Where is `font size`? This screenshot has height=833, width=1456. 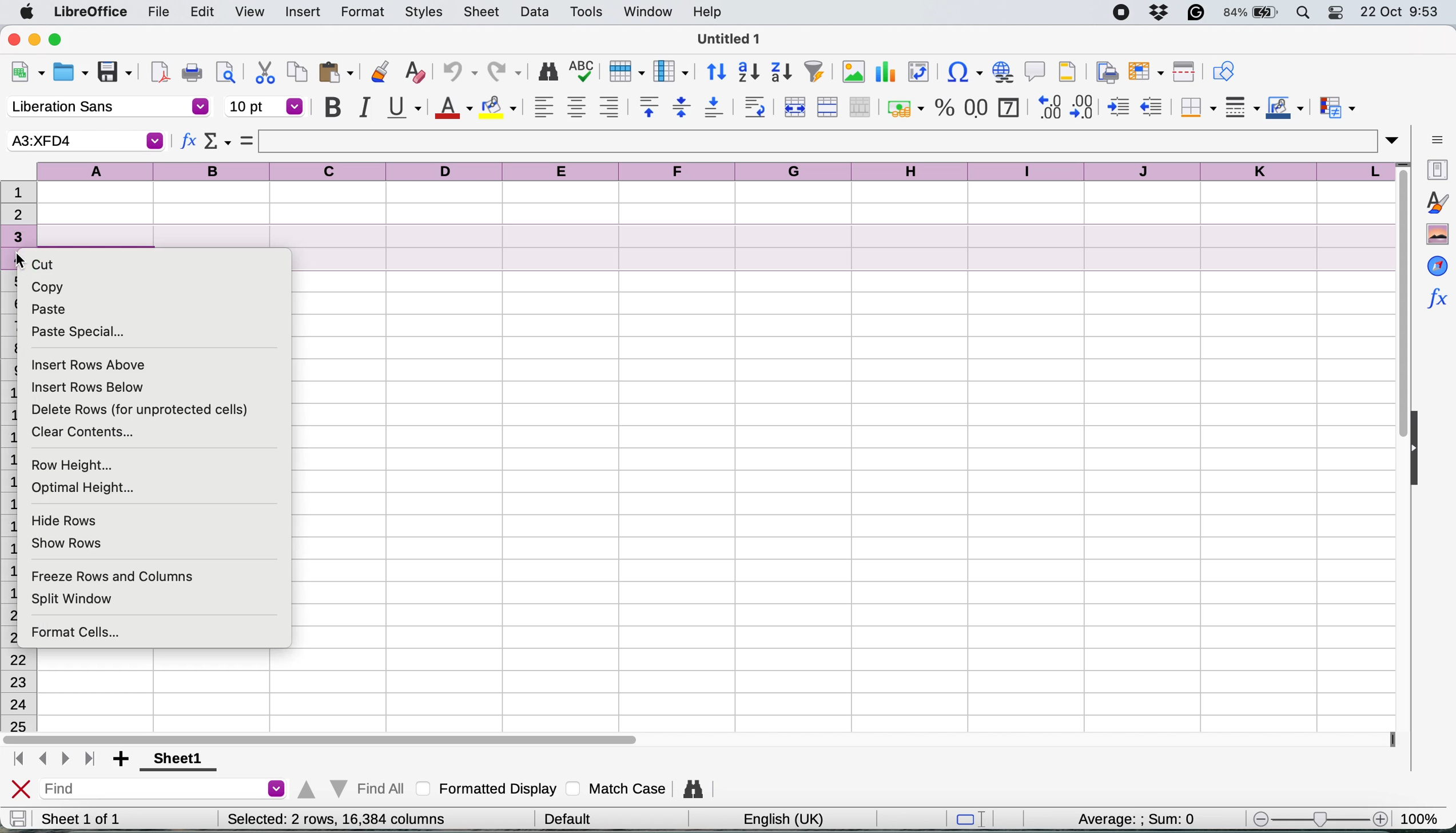 font size is located at coordinates (265, 106).